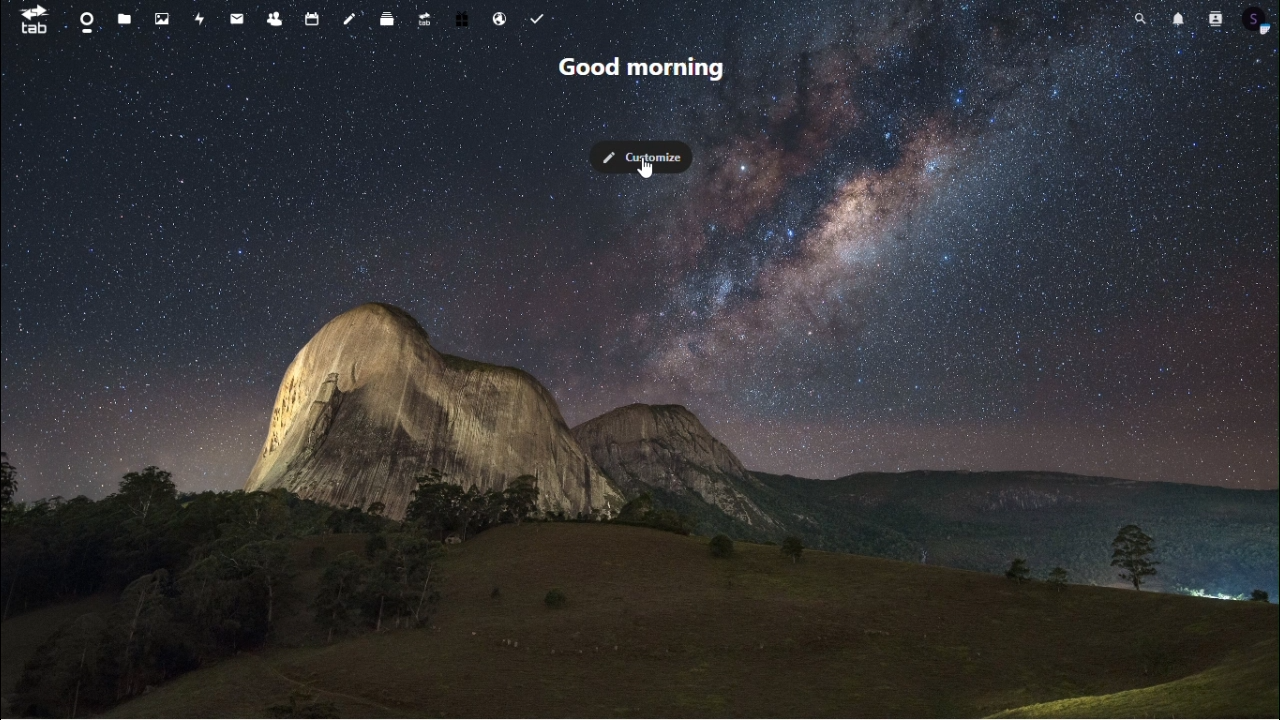 This screenshot has height=720, width=1280. What do you see at coordinates (198, 20) in the screenshot?
I see `activity` at bounding box center [198, 20].